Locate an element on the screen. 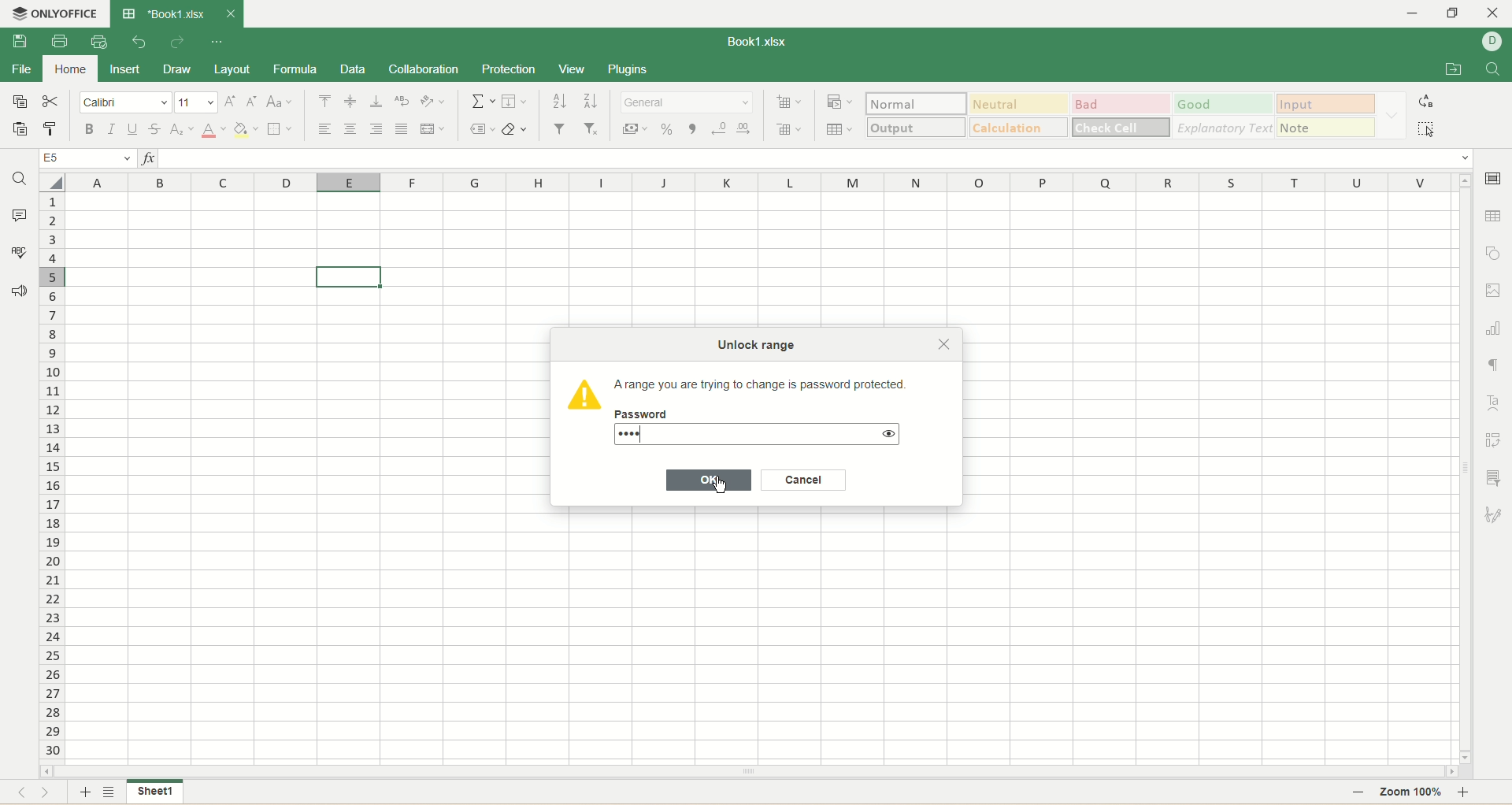 The height and width of the screenshot is (805, 1512). merge and center is located at coordinates (433, 129).